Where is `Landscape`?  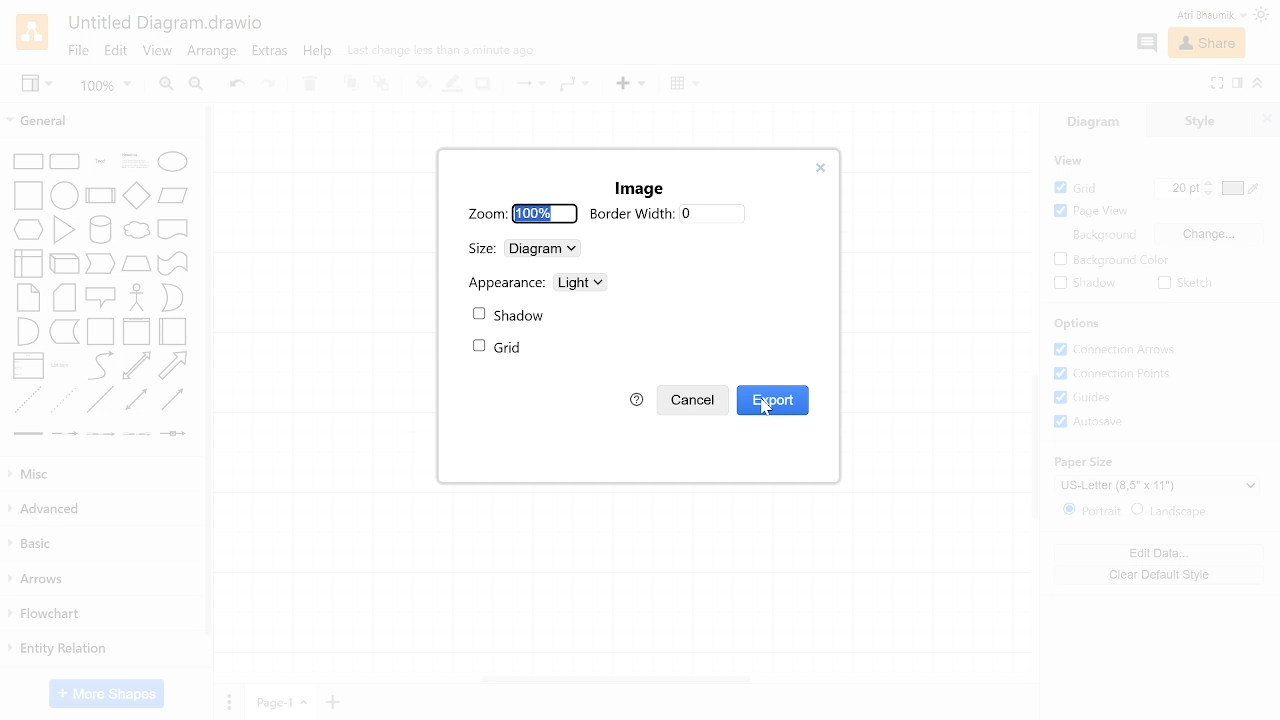 Landscape is located at coordinates (1180, 510).